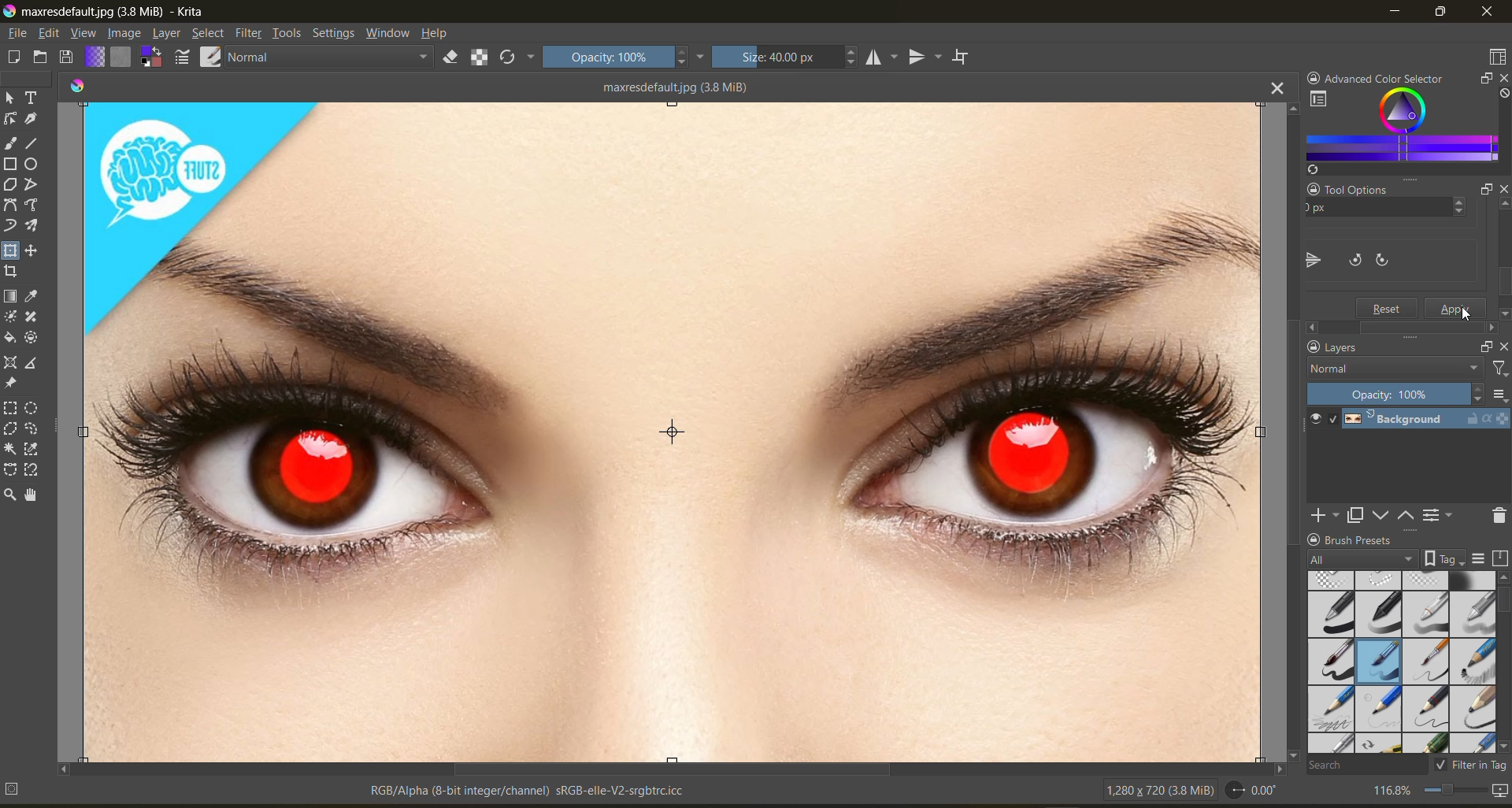 The height and width of the screenshot is (808, 1512). I want to click on Layers, so click(1372, 348).